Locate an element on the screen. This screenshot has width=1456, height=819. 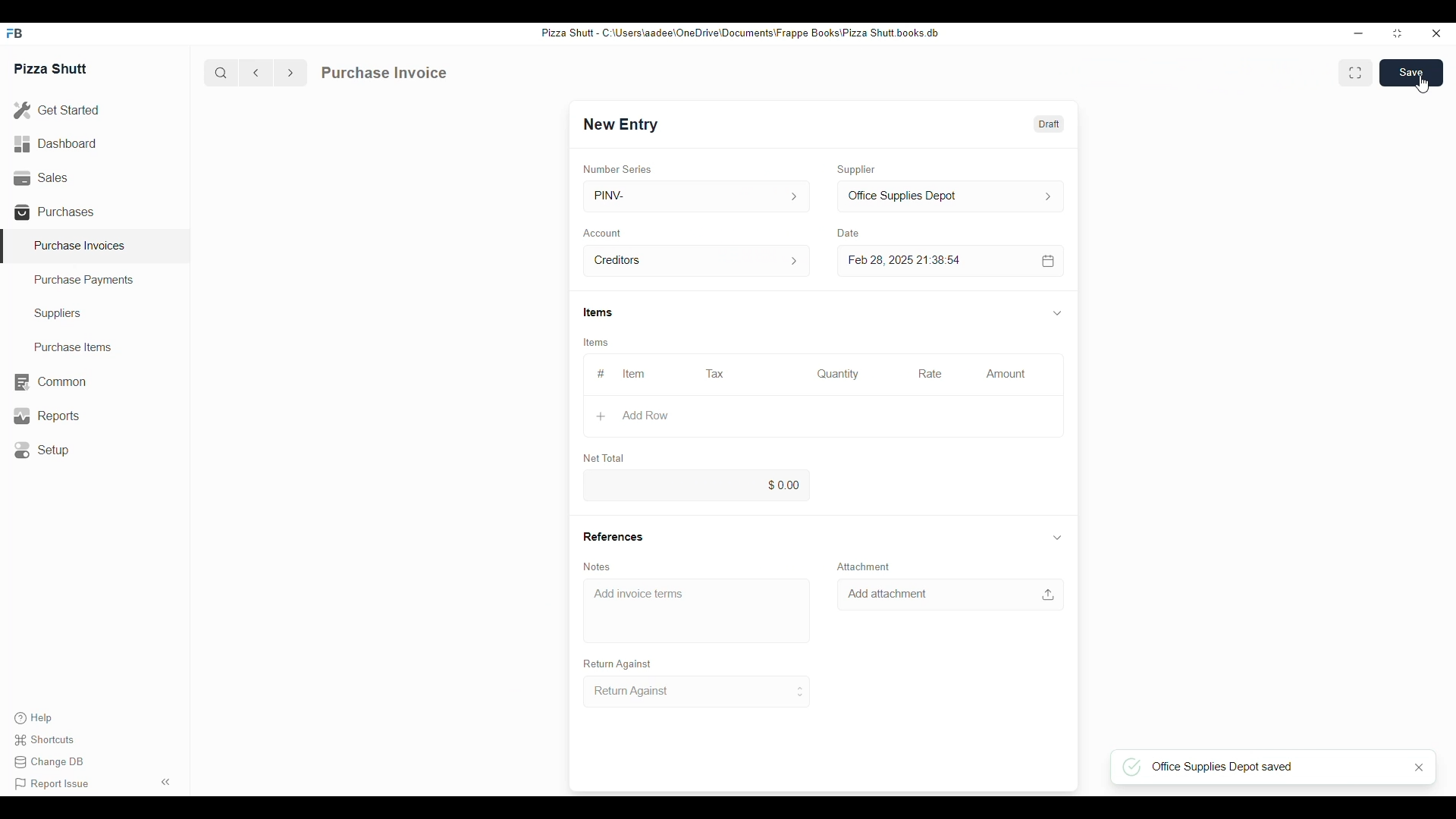
Supplier is located at coordinates (859, 170).